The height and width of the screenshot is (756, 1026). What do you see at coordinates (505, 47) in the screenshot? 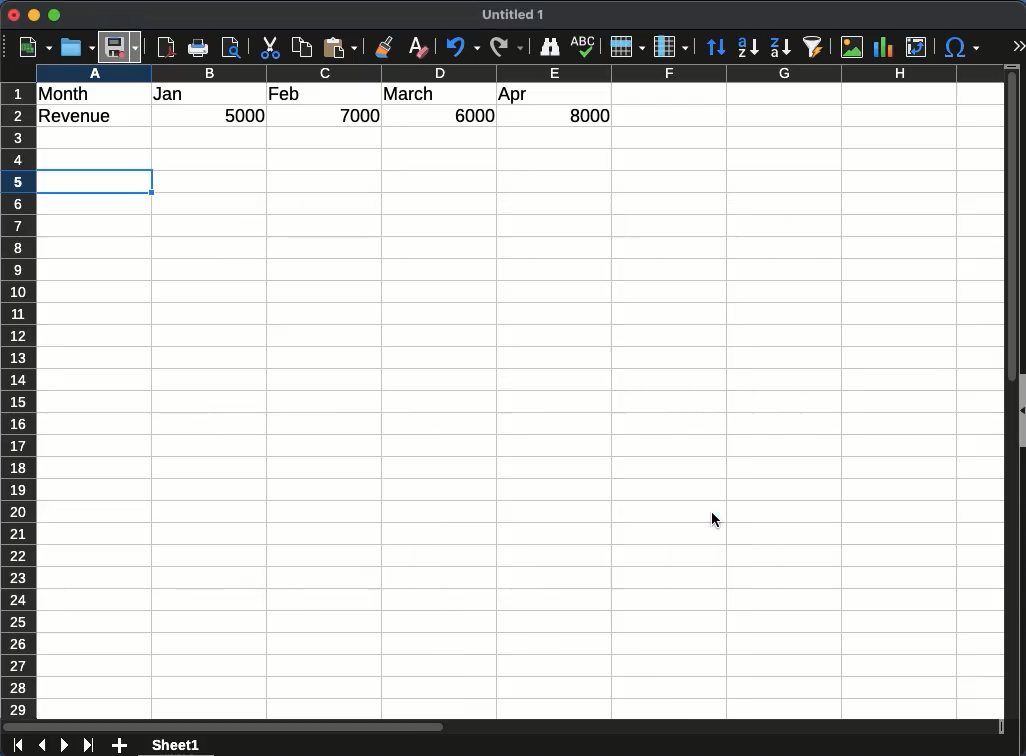
I see `redo` at bounding box center [505, 47].